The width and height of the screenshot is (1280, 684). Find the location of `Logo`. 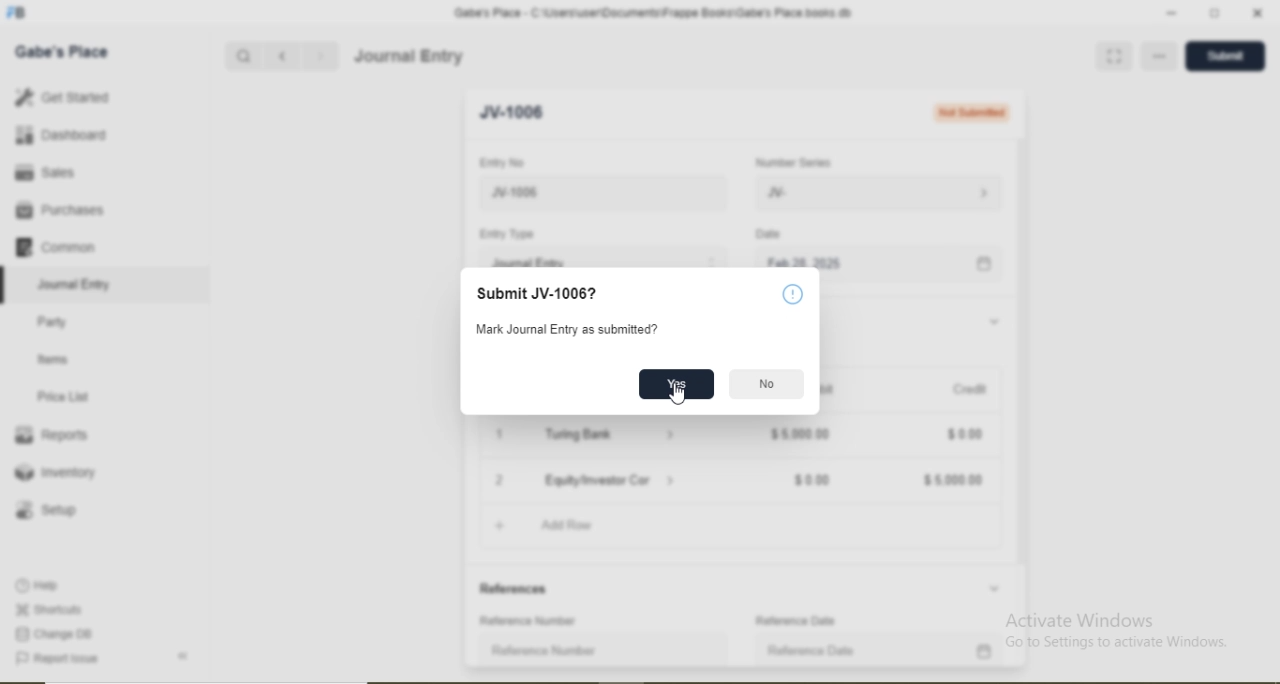

Logo is located at coordinates (17, 13).